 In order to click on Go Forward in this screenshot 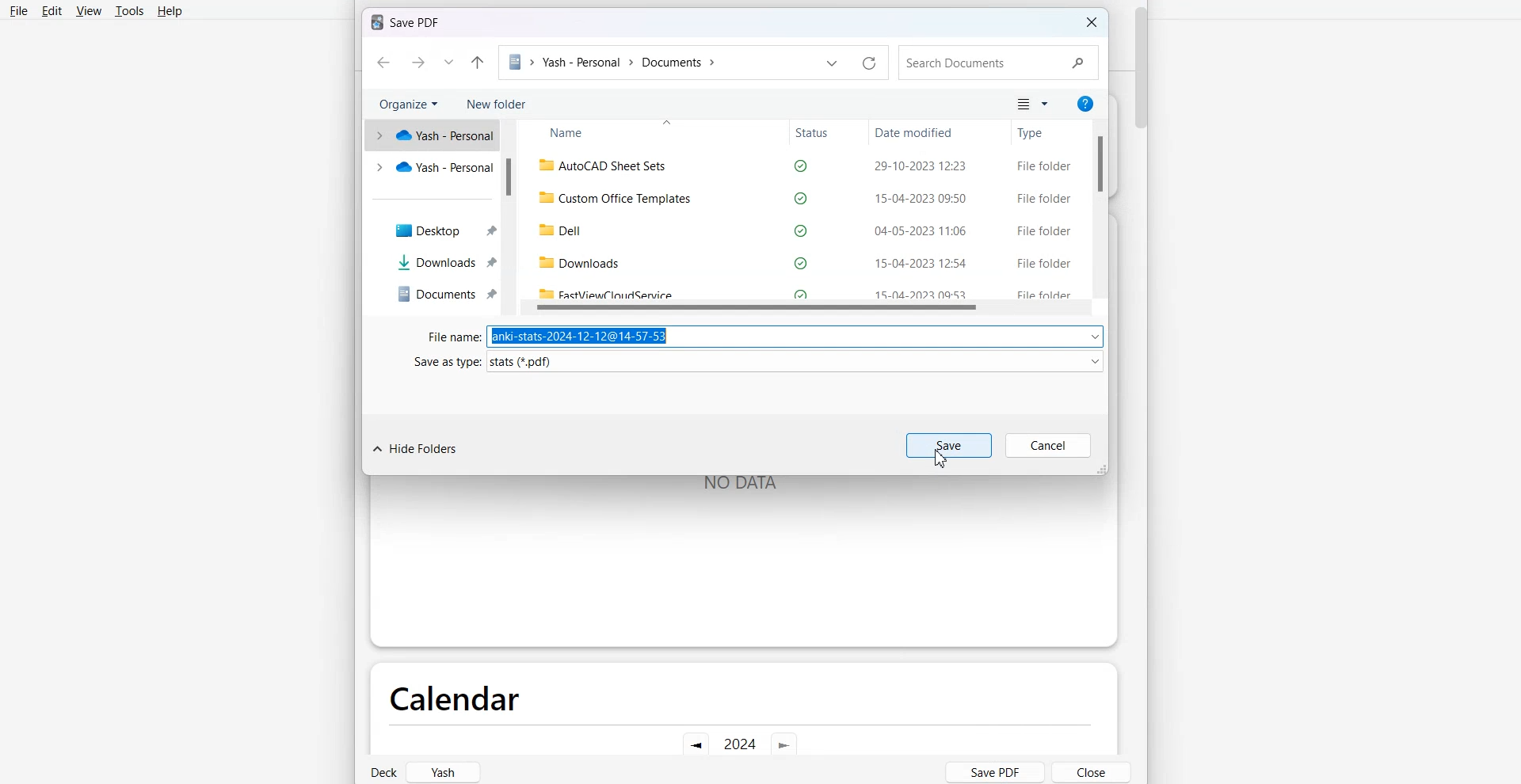, I will do `click(785, 747)`.